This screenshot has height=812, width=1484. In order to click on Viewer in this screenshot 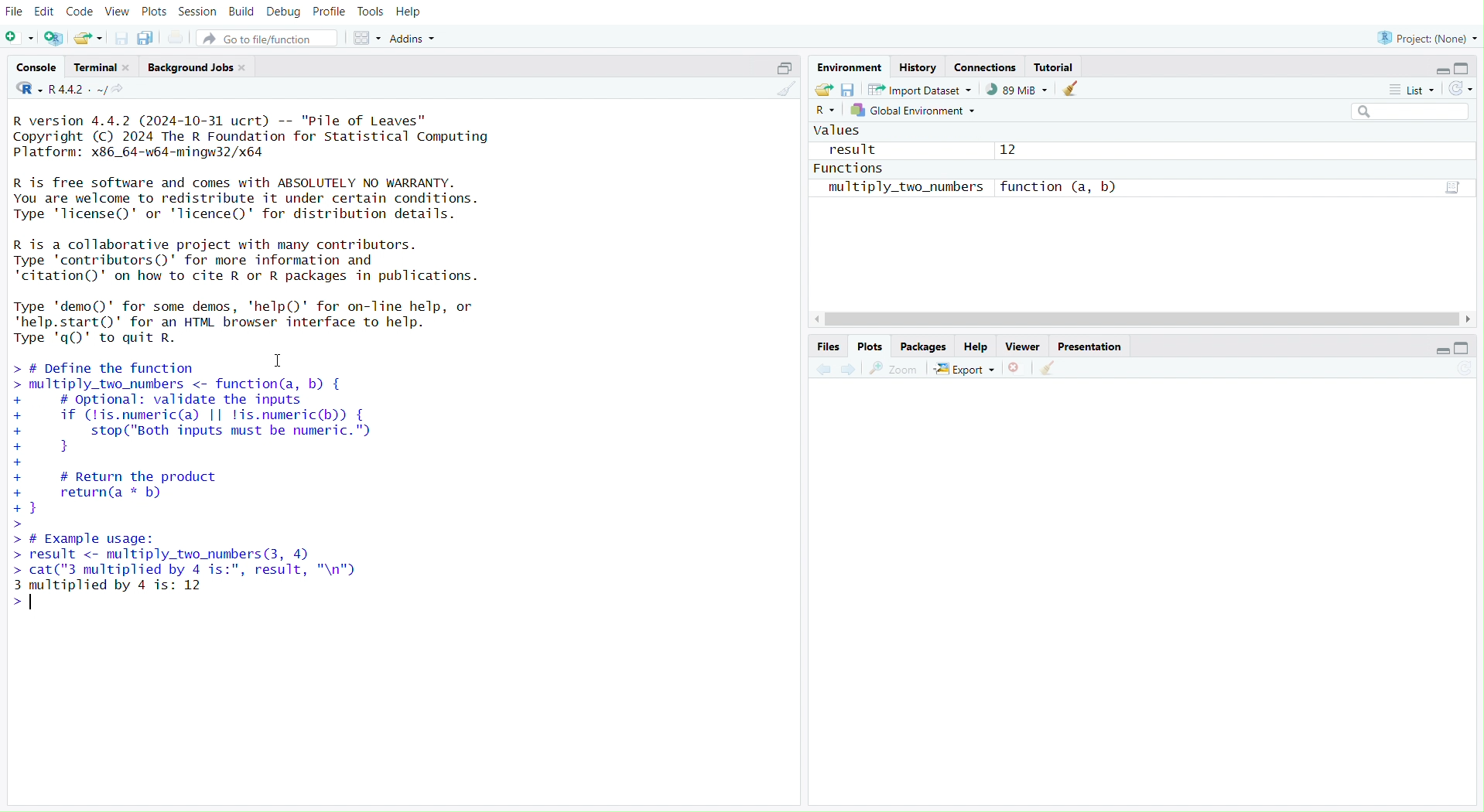, I will do `click(1022, 347)`.